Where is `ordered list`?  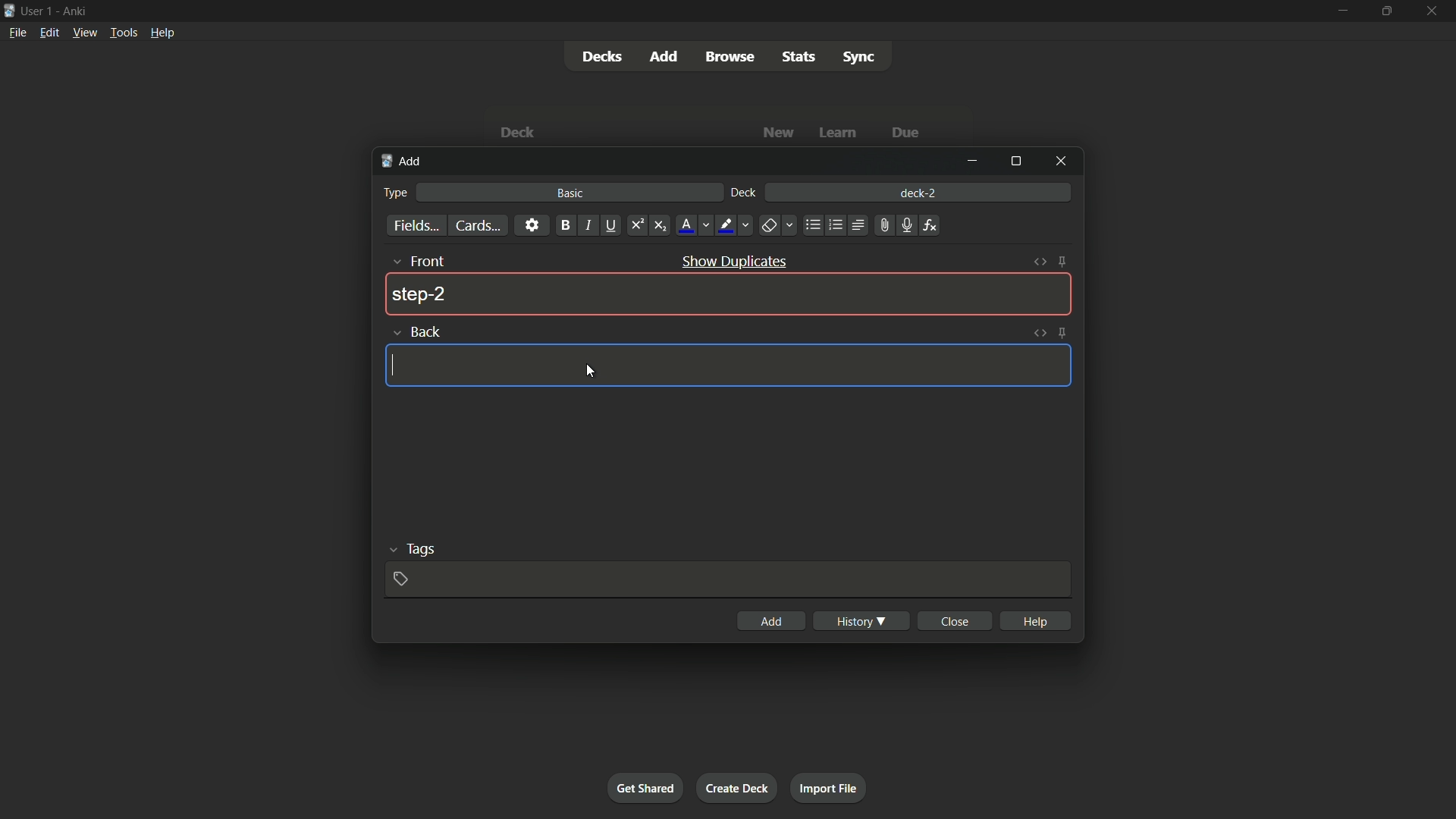
ordered list is located at coordinates (834, 226).